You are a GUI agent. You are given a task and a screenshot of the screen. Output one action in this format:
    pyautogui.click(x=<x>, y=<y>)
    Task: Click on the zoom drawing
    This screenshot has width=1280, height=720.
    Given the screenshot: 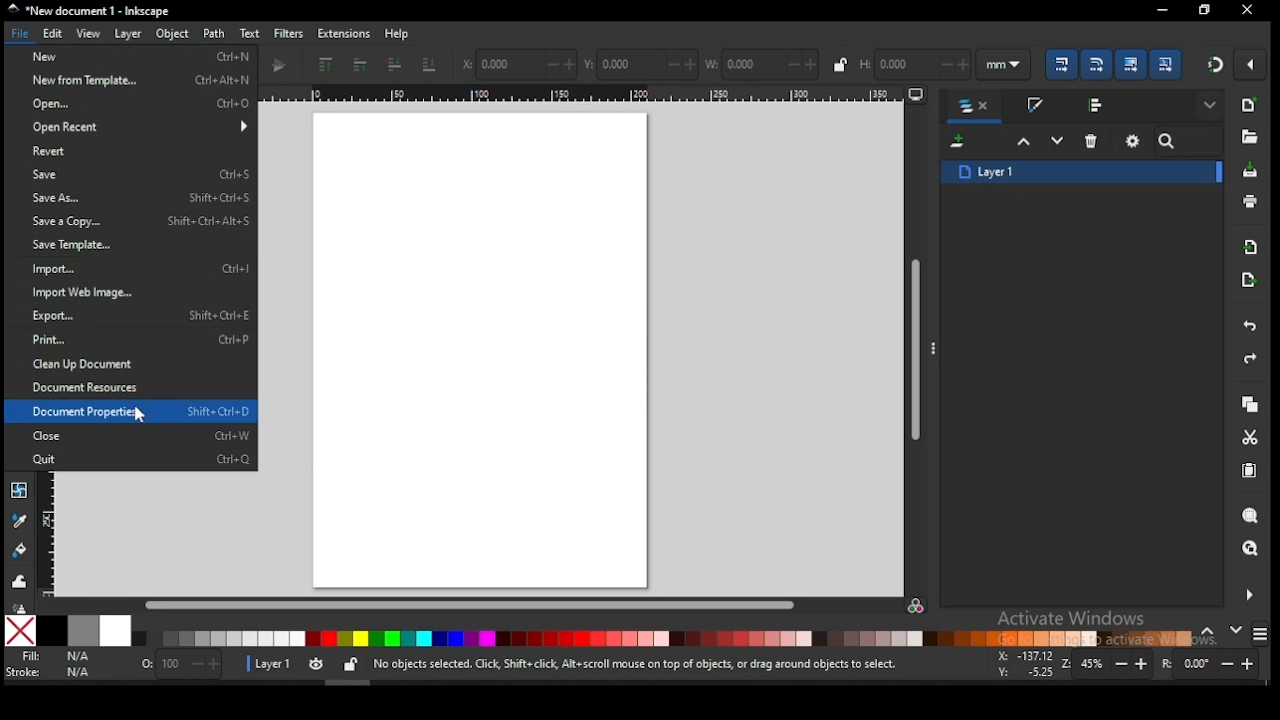 What is the action you would take?
    pyautogui.click(x=1251, y=550)
    